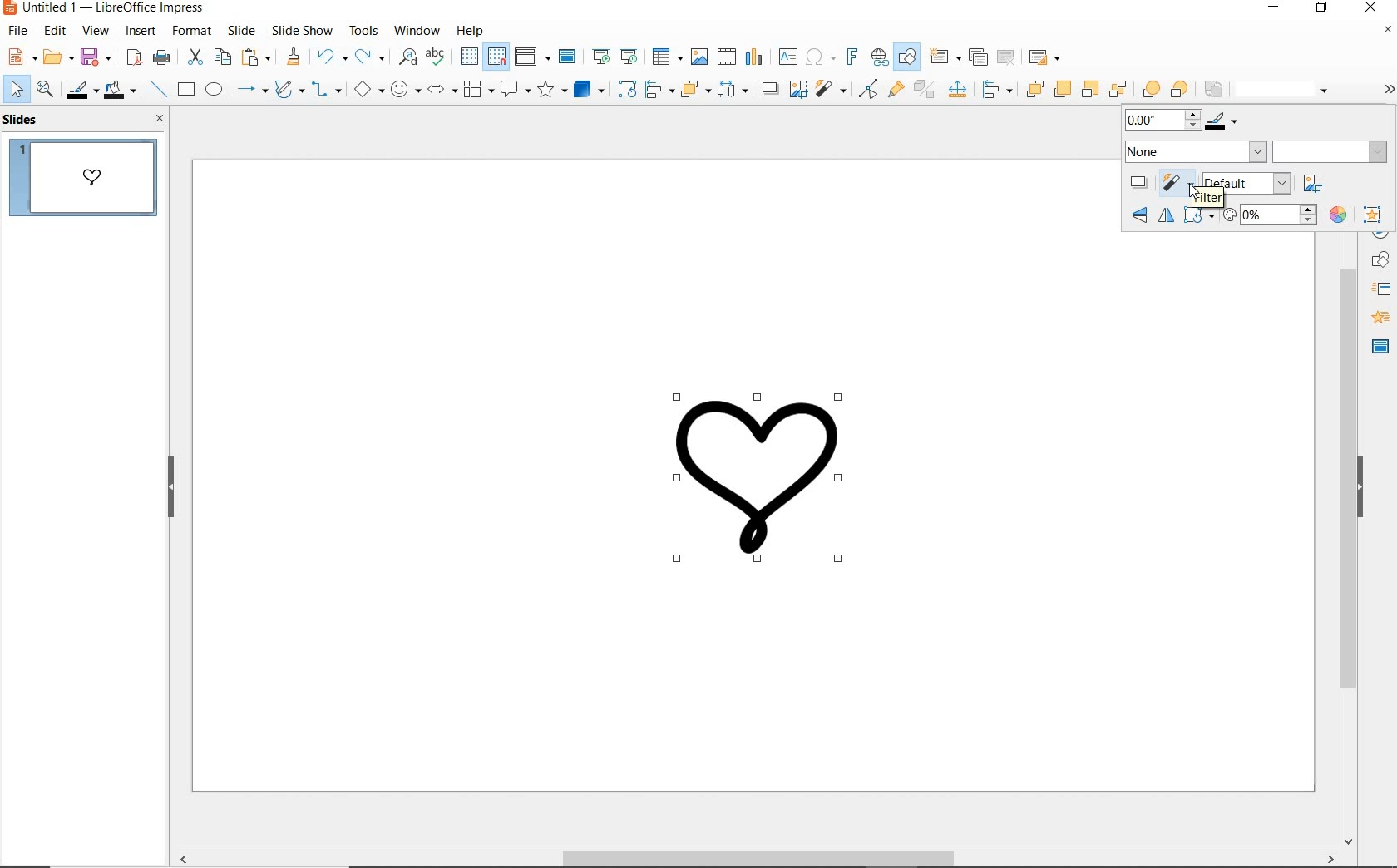 This screenshot has width=1397, height=868. Describe the element at coordinates (1385, 31) in the screenshot. I see `` at that location.